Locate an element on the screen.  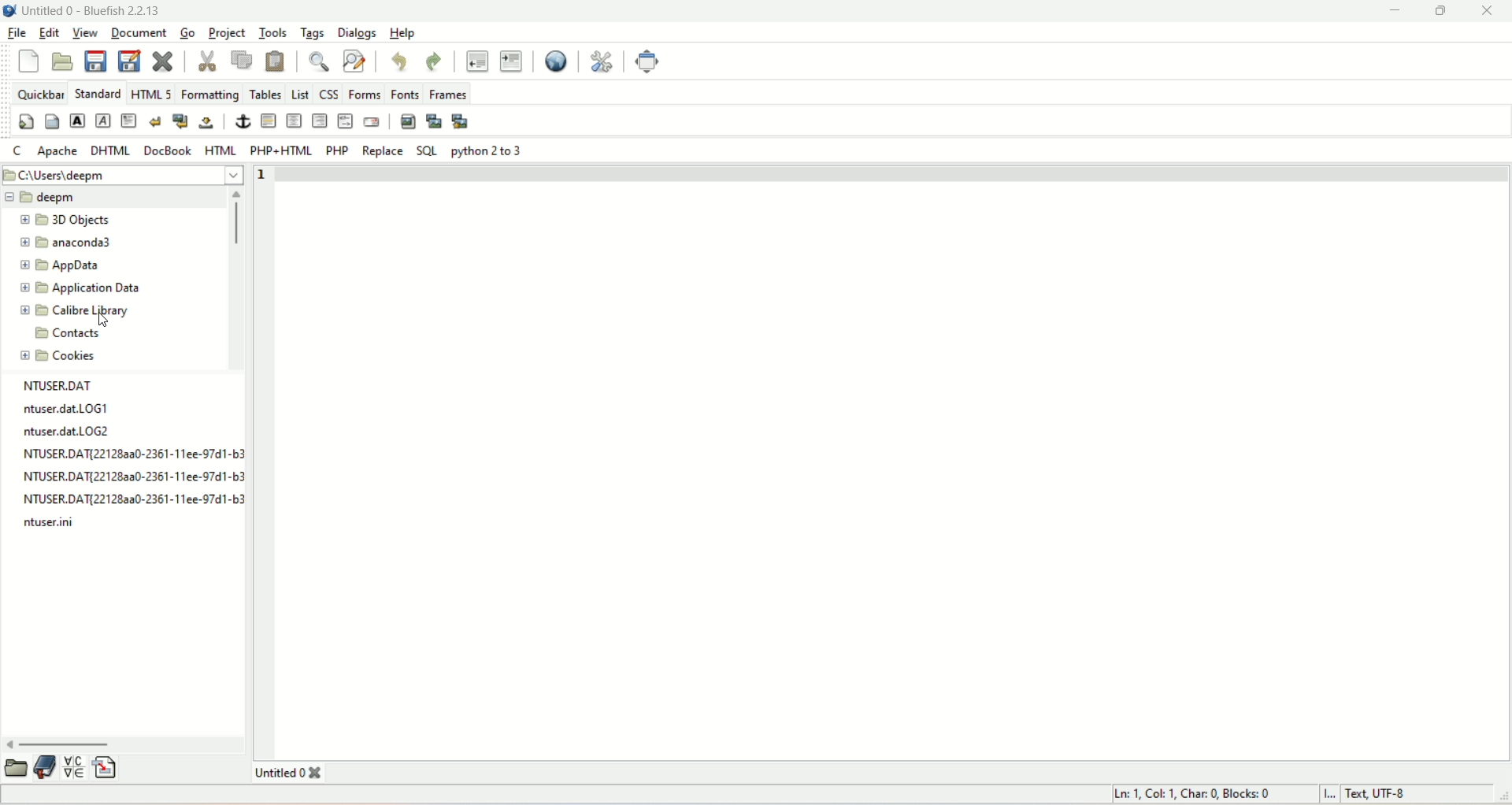
save current file is located at coordinates (95, 61).